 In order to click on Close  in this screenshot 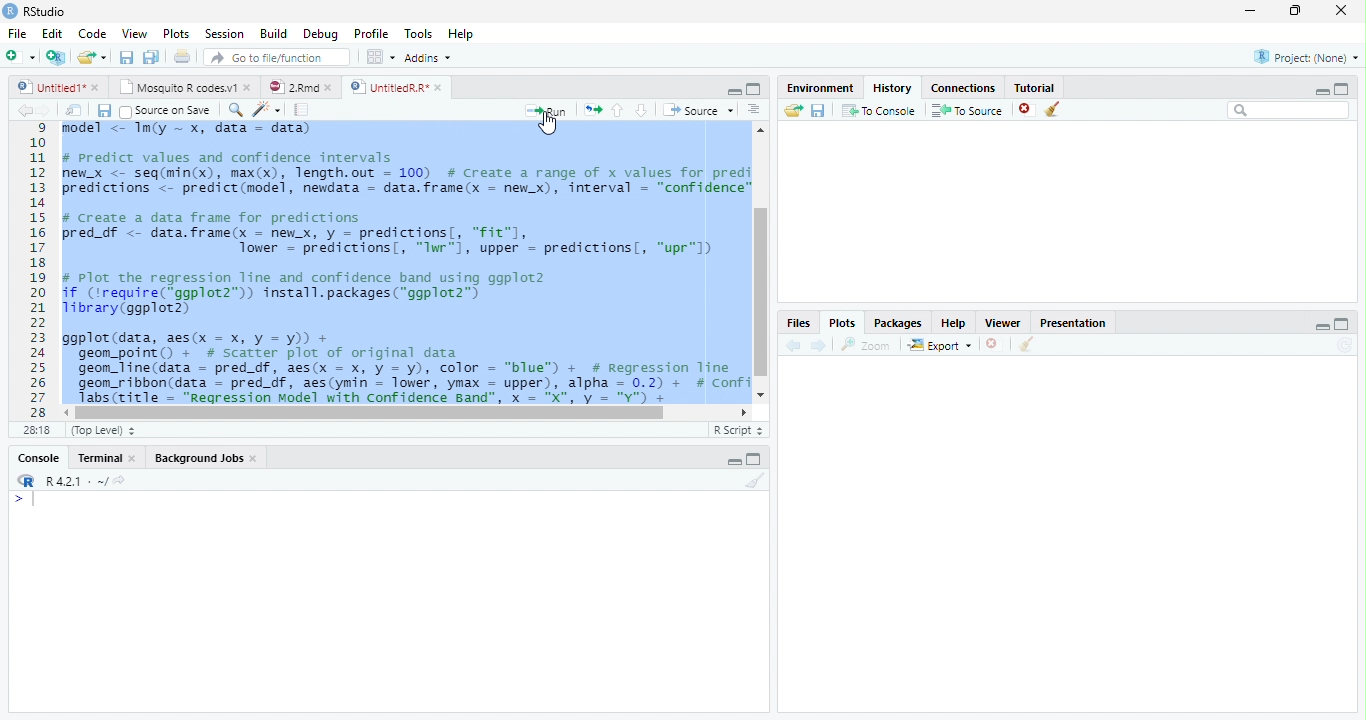, I will do `click(1342, 12)`.